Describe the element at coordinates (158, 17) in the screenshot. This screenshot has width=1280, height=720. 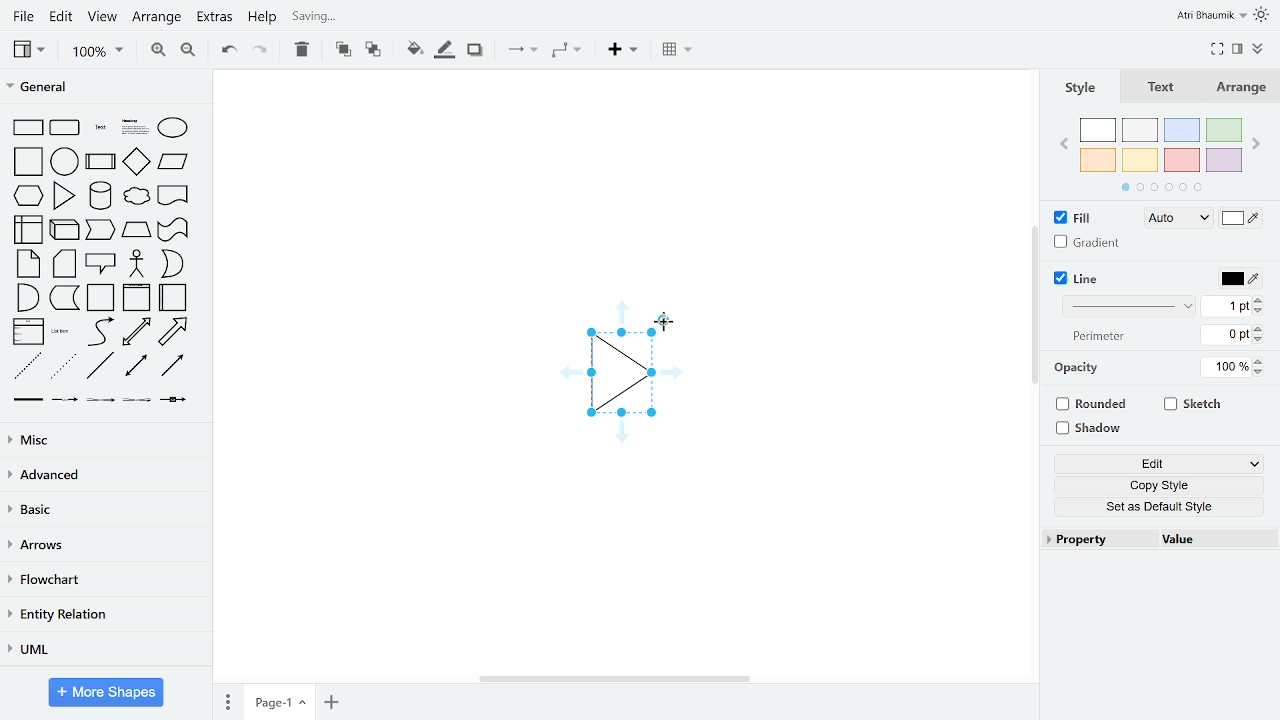
I see `arrange` at that location.